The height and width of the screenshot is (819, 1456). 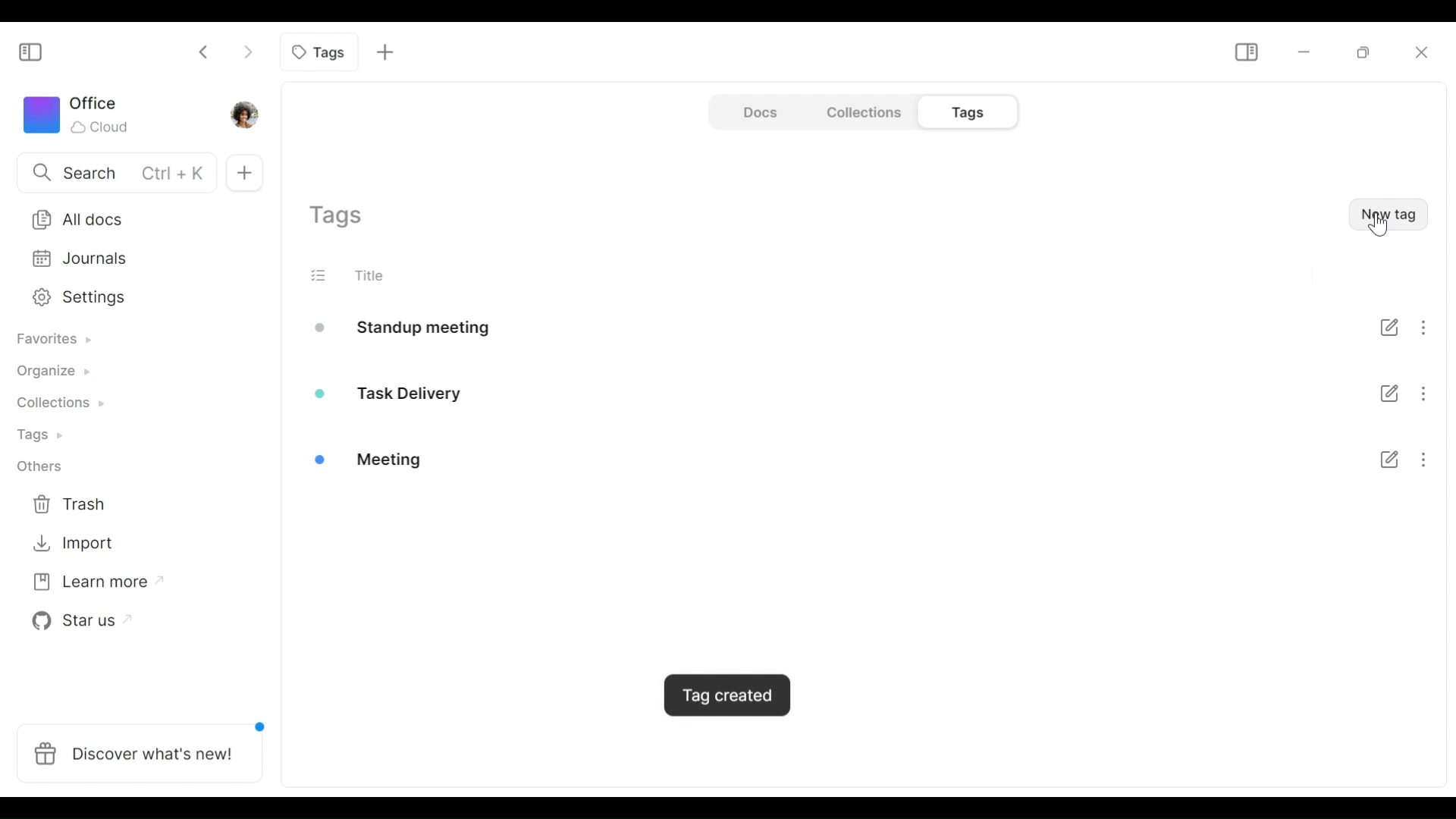 I want to click on Task delivery, so click(x=397, y=394).